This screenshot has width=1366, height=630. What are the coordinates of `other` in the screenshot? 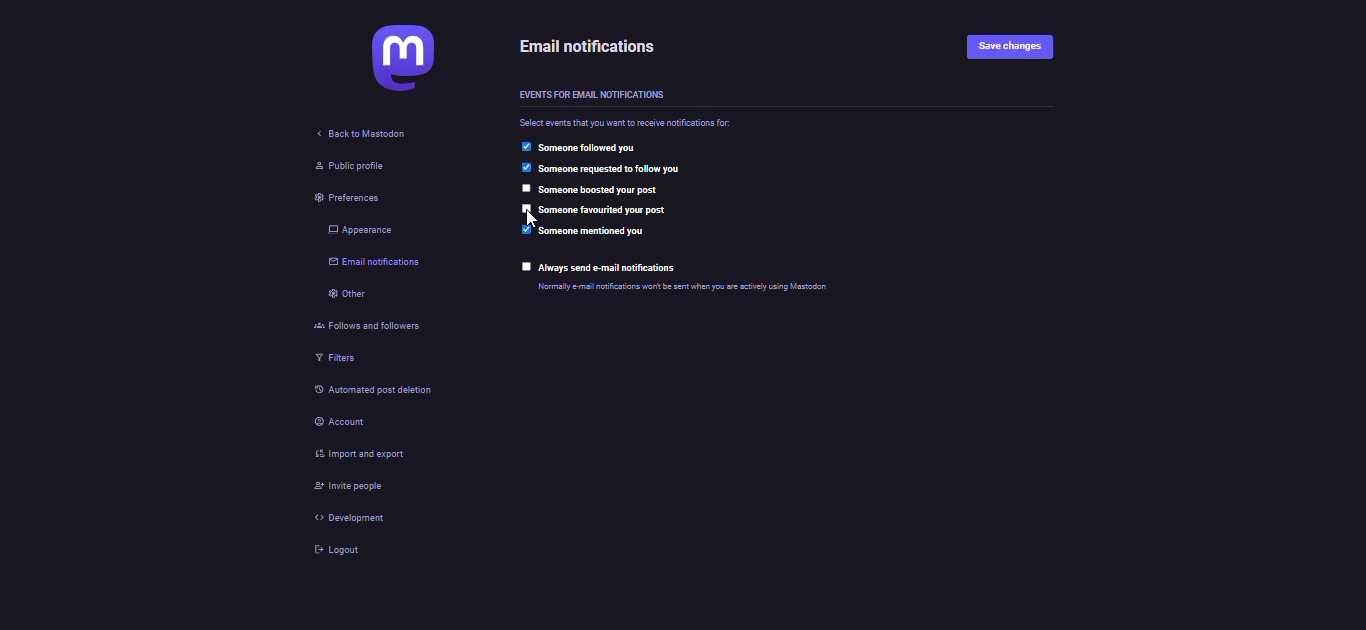 It's located at (338, 293).